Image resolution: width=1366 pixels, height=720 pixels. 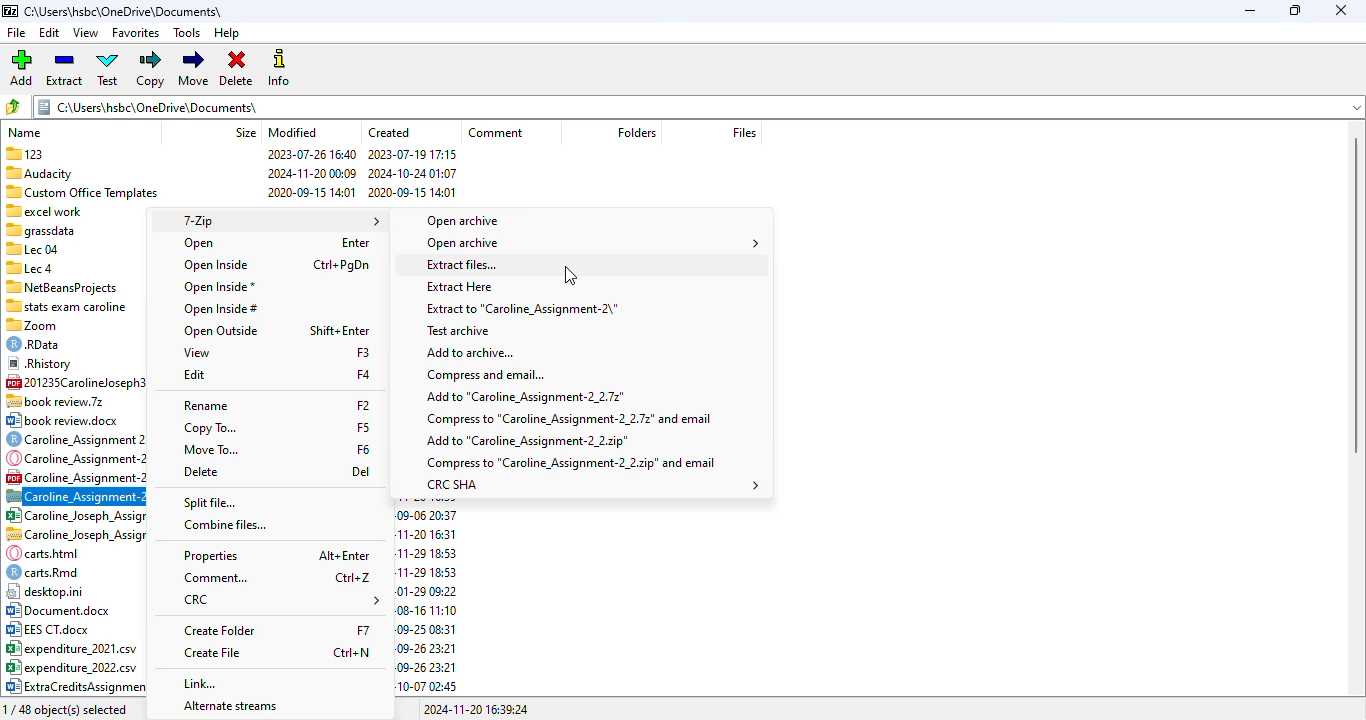 What do you see at coordinates (232, 191) in the screenshot?
I see `| ™1 Custom Office Templates 2020-09-15 14:01 2020-09-15 14:01` at bounding box center [232, 191].